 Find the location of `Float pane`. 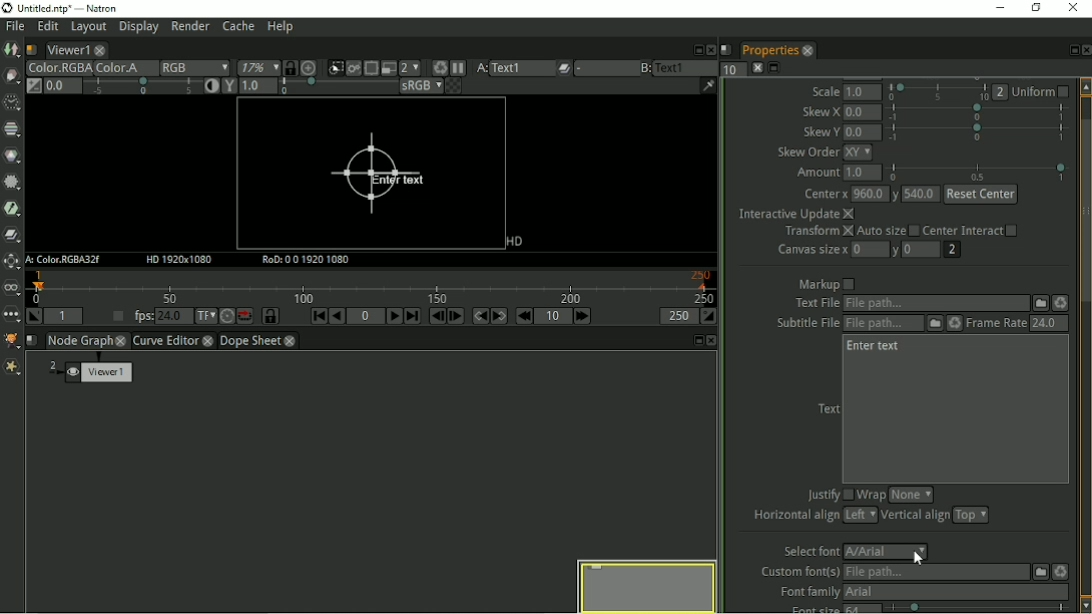

Float pane is located at coordinates (696, 340).